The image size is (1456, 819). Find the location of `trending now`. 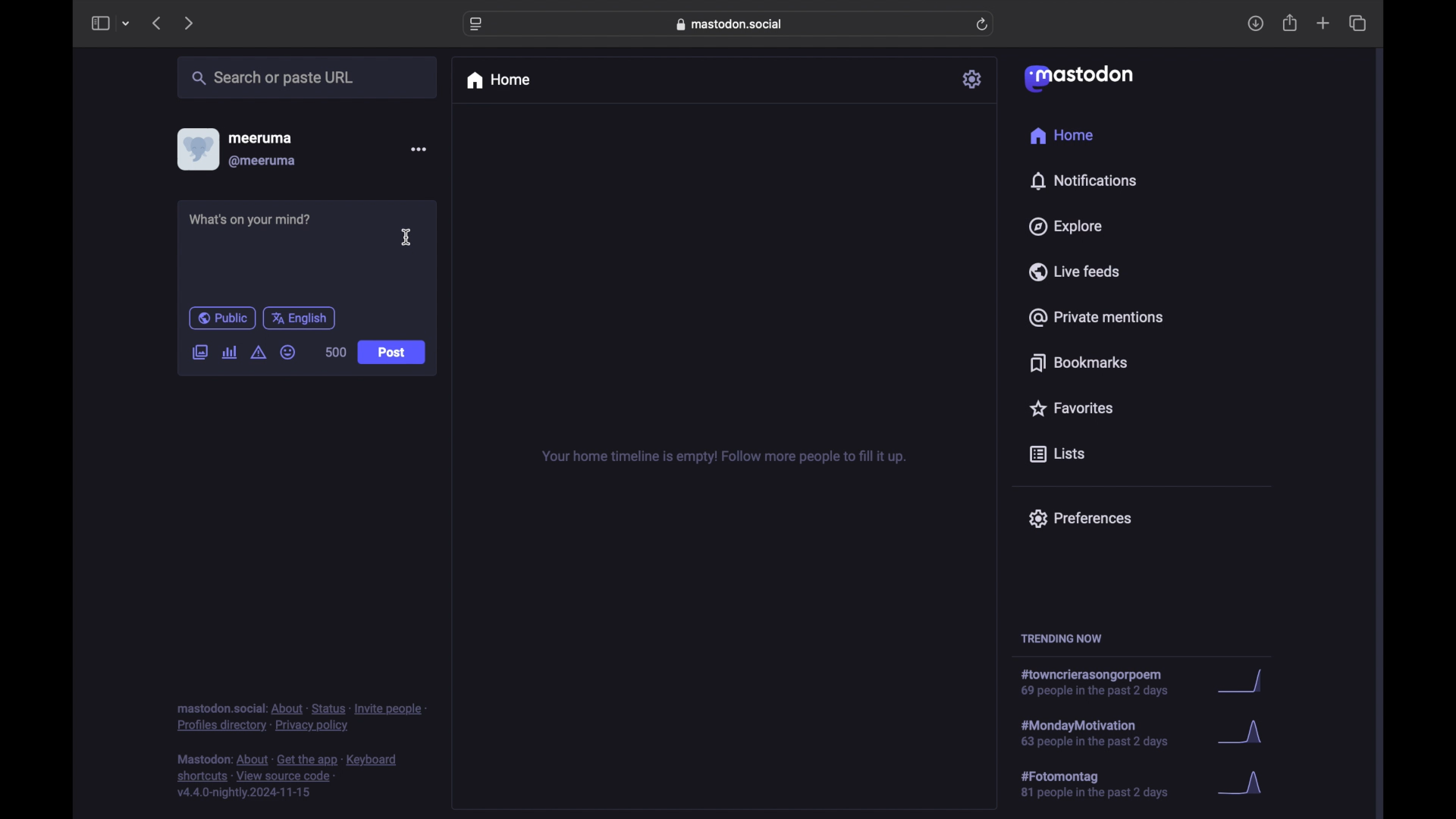

trending now is located at coordinates (1061, 639).